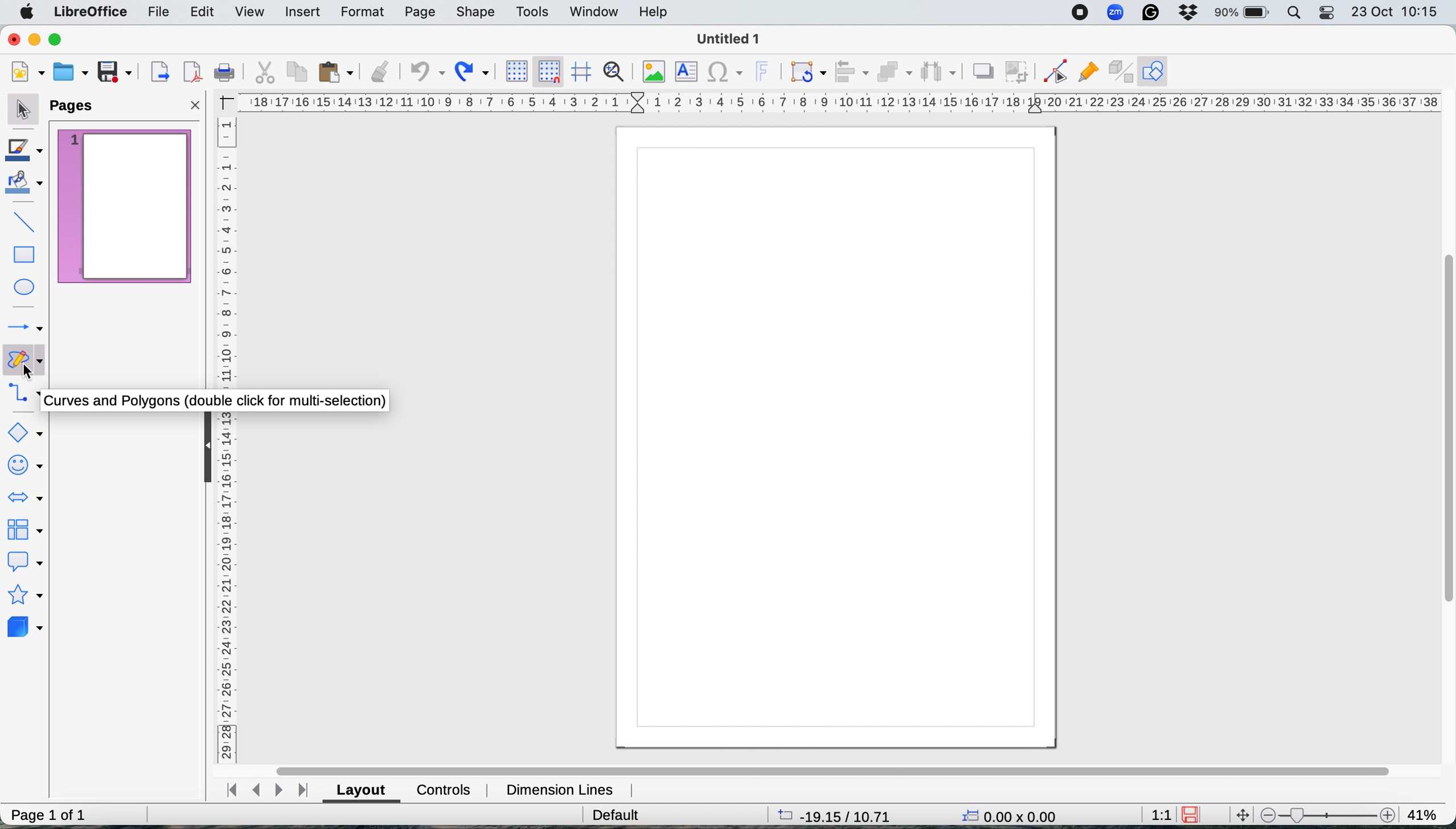 This screenshot has width=1456, height=829. I want to click on x y coordinates, so click(1012, 815).